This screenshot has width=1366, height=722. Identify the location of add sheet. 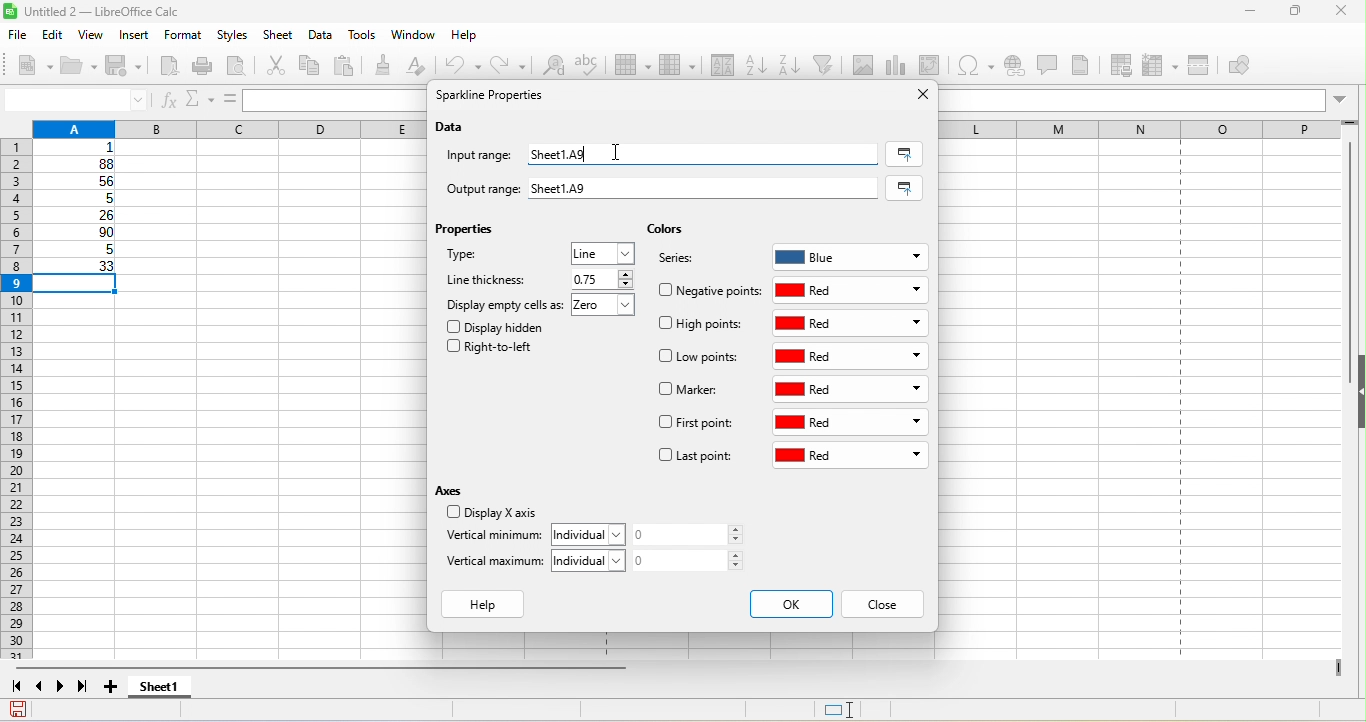
(113, 687).